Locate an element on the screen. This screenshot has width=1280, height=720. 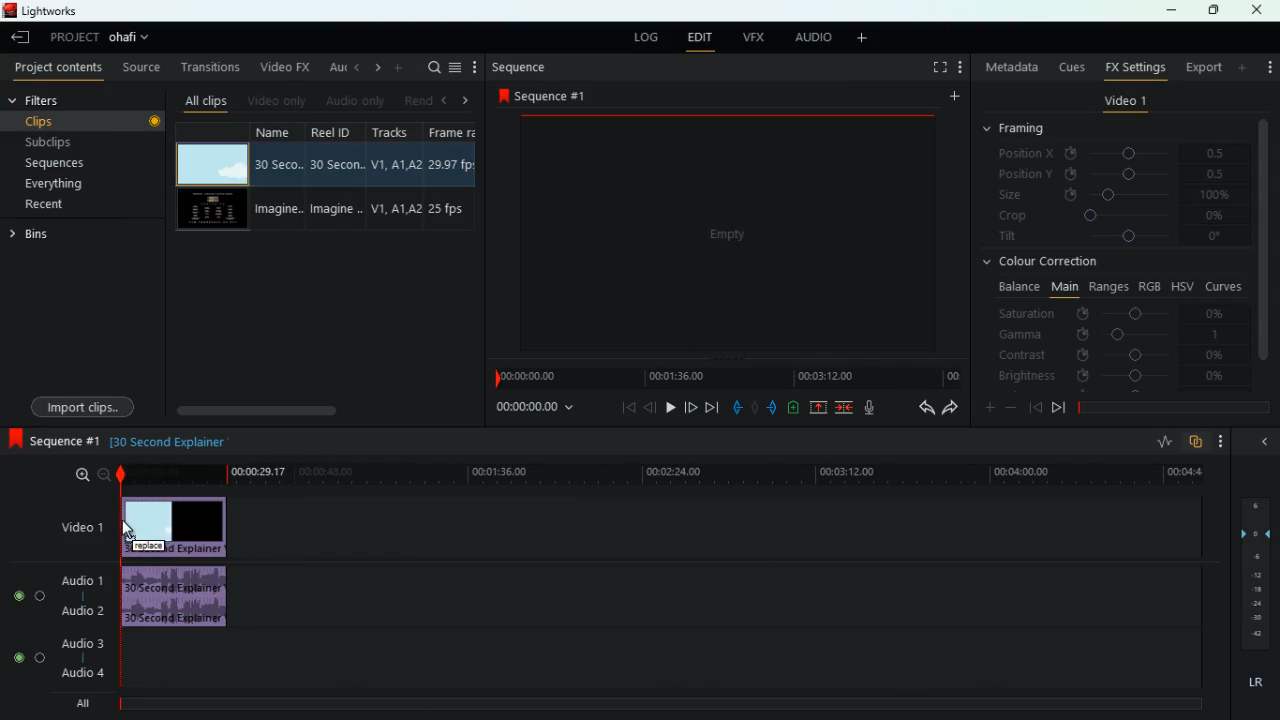
more is located at coordinates (1226, 441).